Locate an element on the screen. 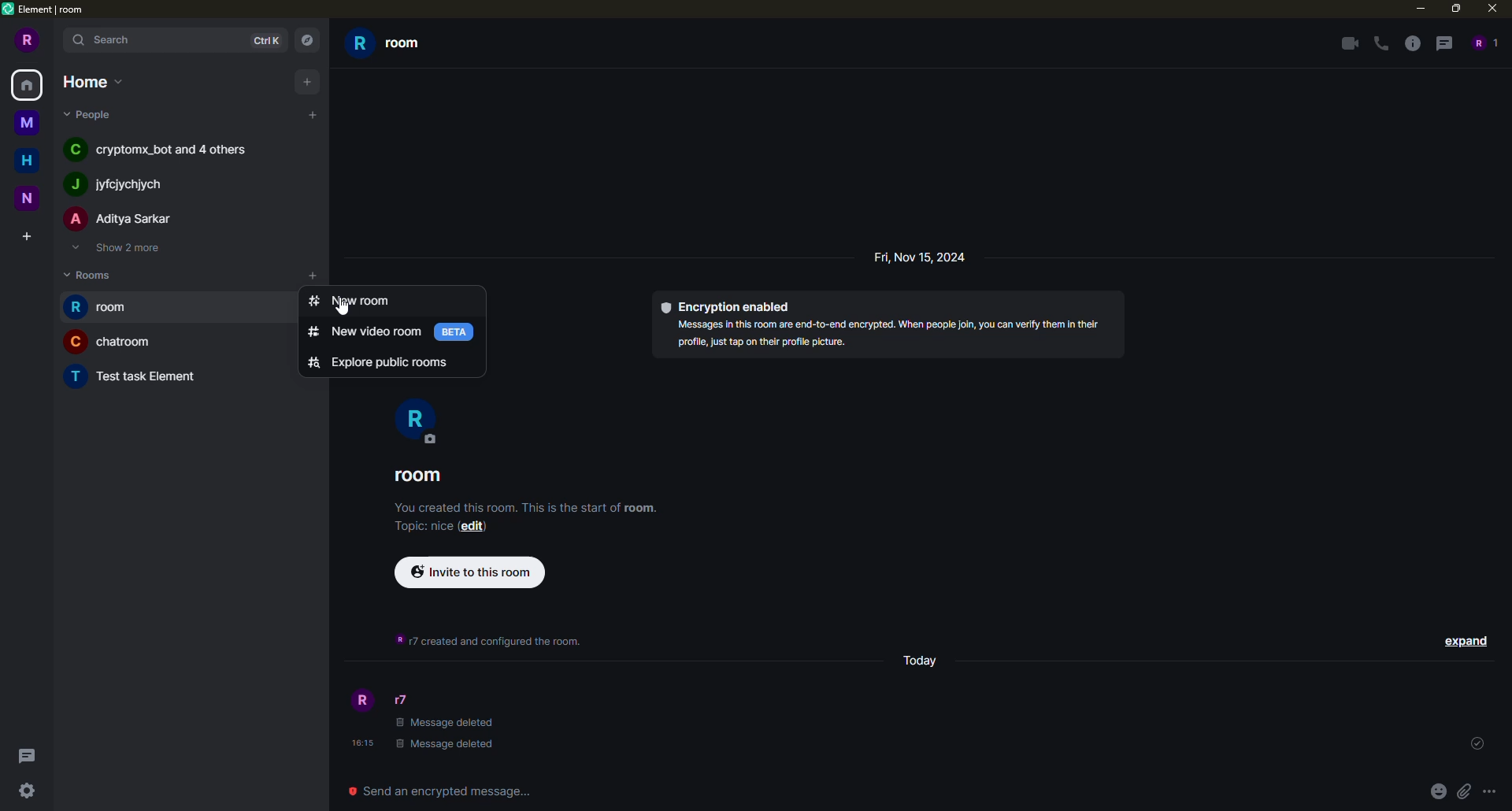  explore public rooms is located at coordinates (381, 362).